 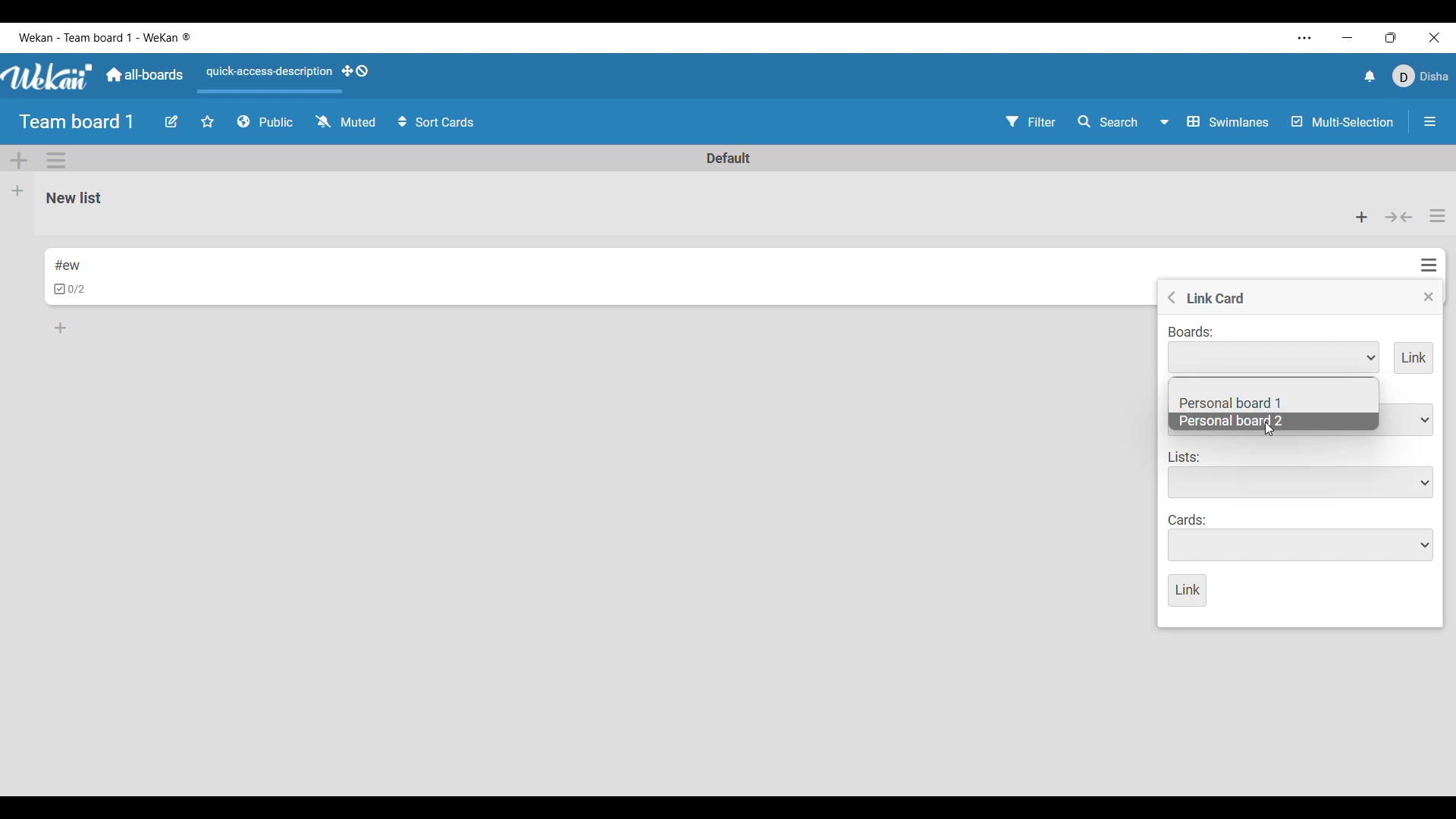 What do you see at coordinates (1273, 357) in the screenshot?
I see `Board options to link to` at bounding box center [1273, 357].